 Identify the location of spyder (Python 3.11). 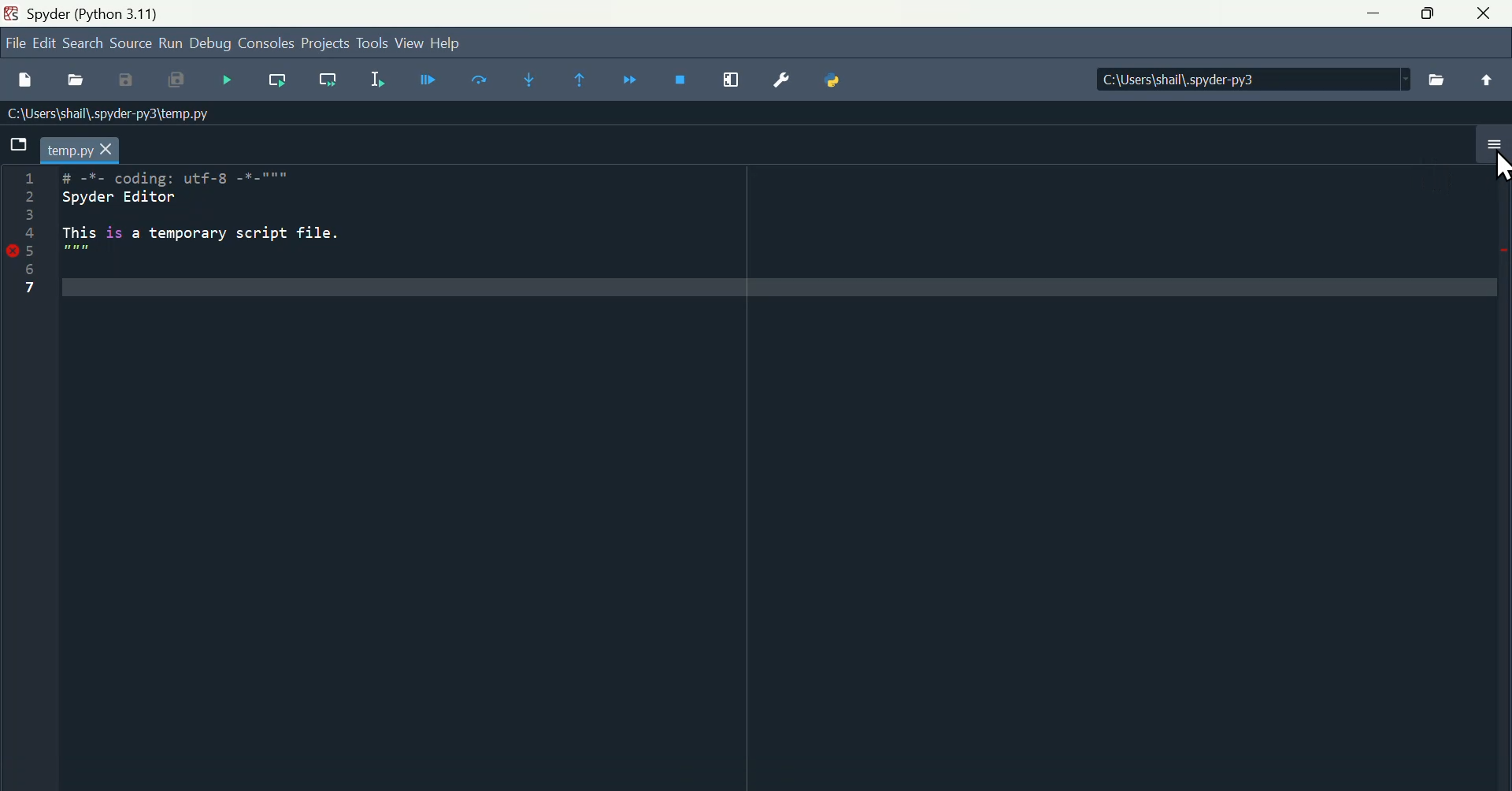
(102, 15).